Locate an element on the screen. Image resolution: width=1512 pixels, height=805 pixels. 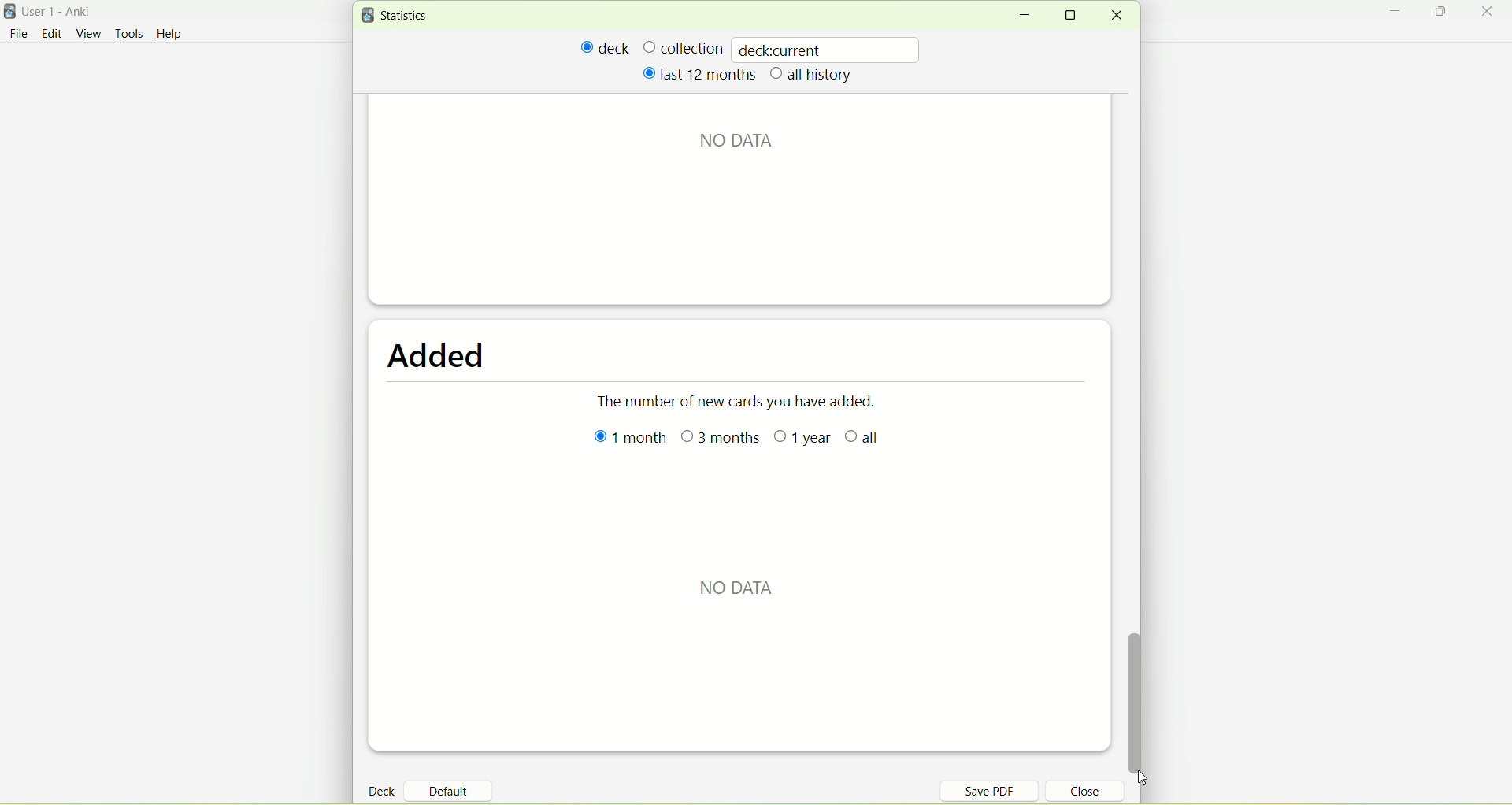
edit is located at coordinates (51, 33).